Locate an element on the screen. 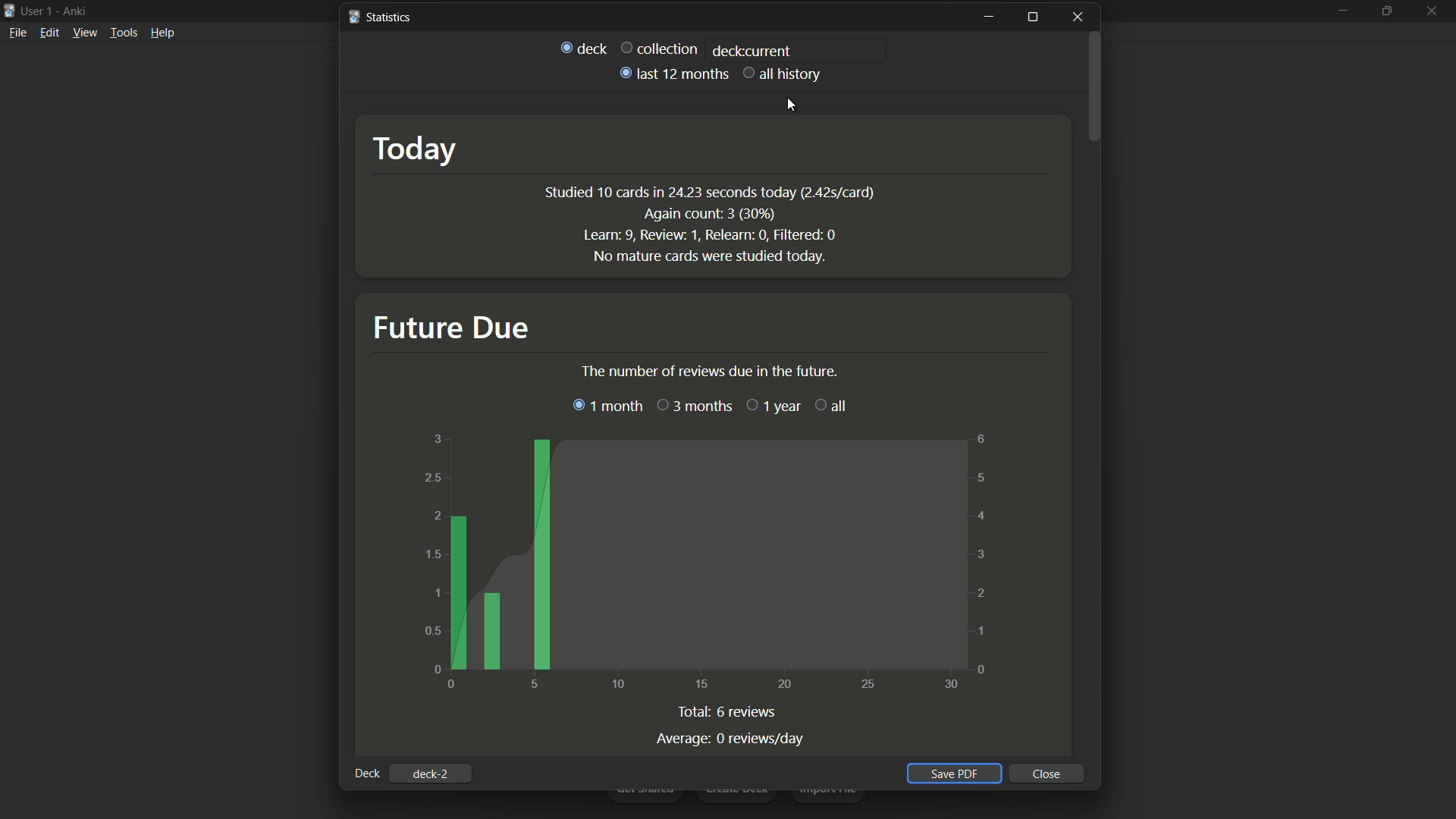 The height and width of the screenshot is (819, 1456). Total 6 reviews is located at coordinates (729, 713).